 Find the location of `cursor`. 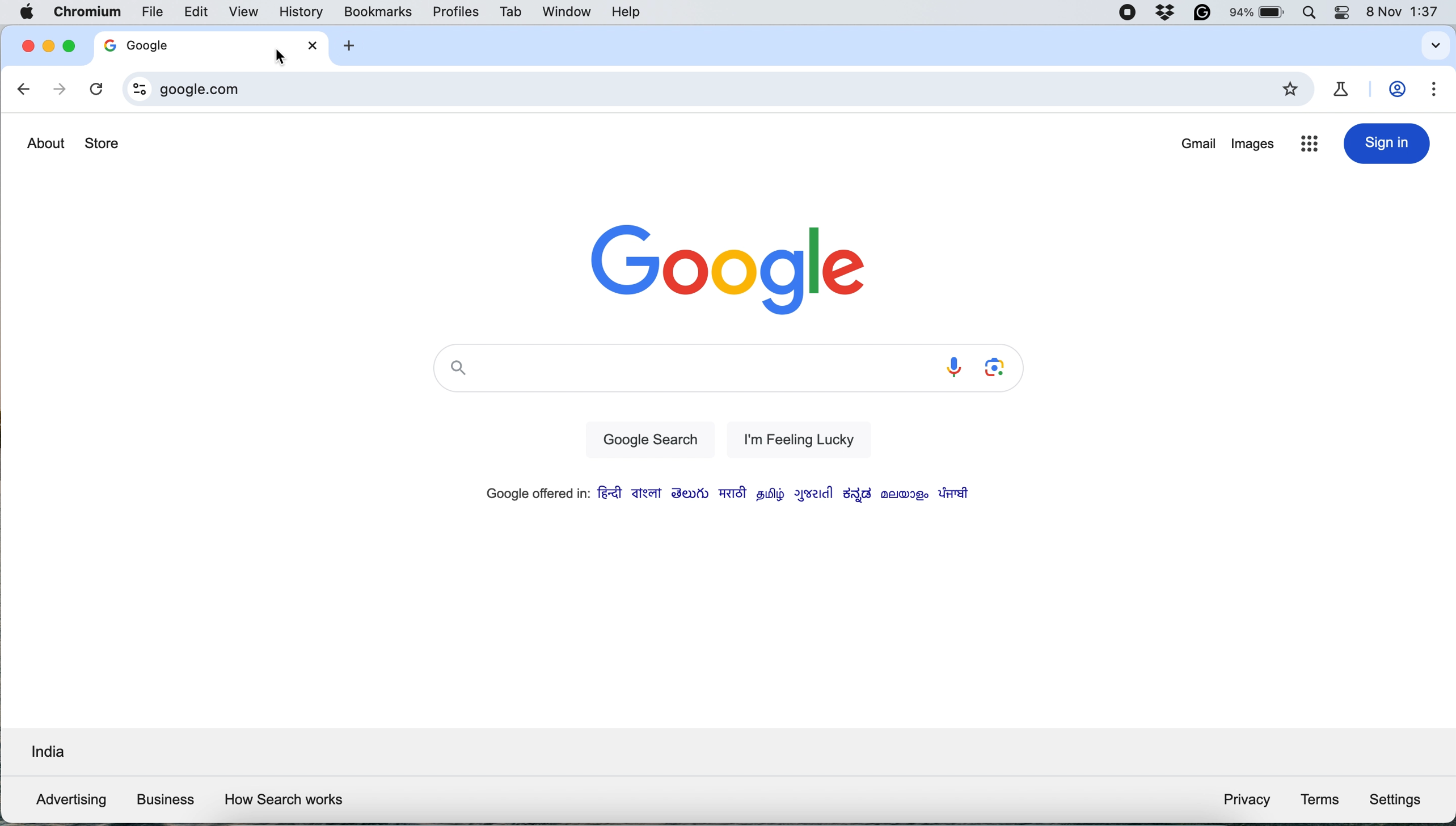

cursor is located at coordinates (278, 60).